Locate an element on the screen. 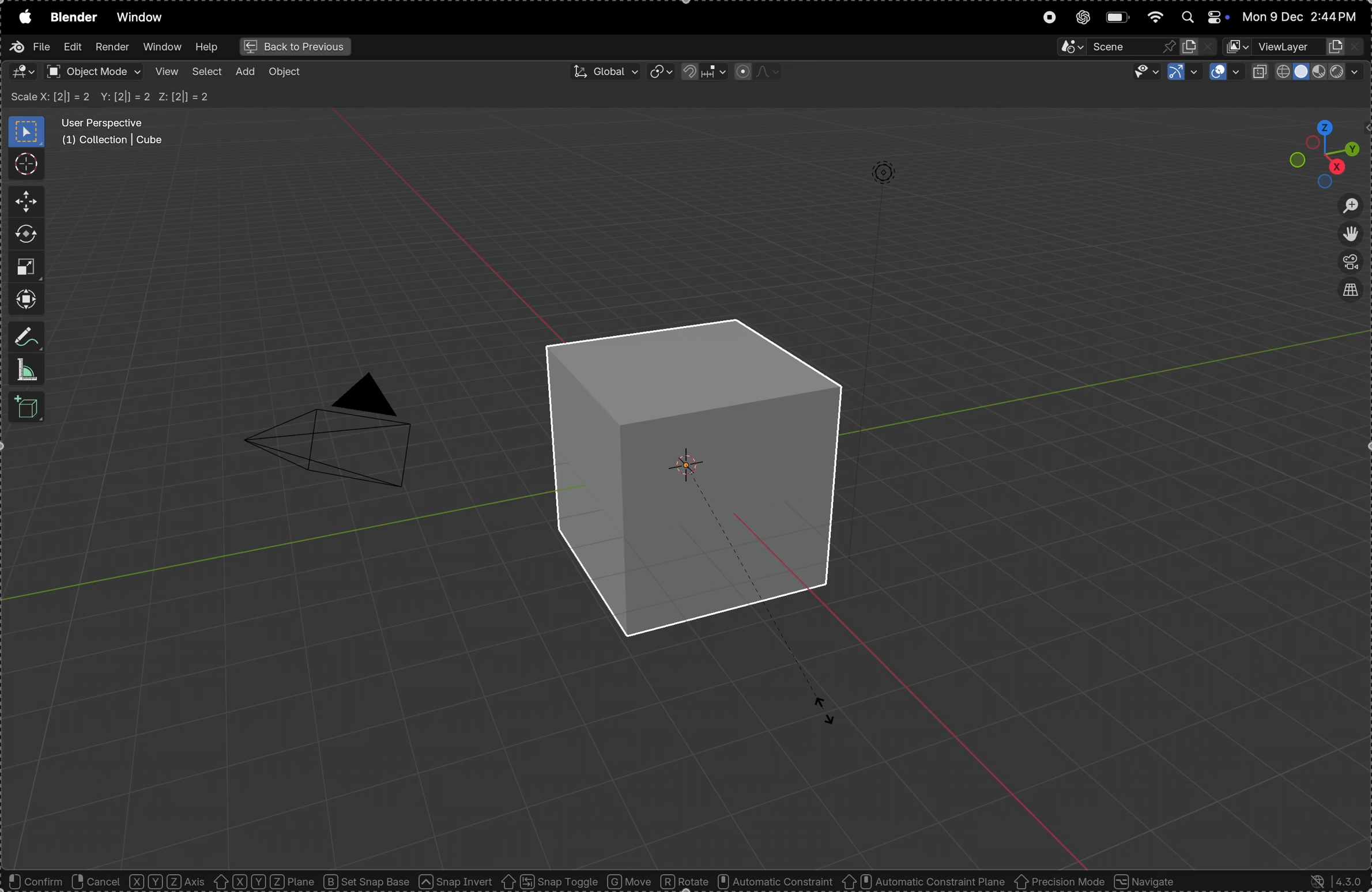 The width and height of the screenshot is (1372, 892). version is located at coordinates (1339, 881).